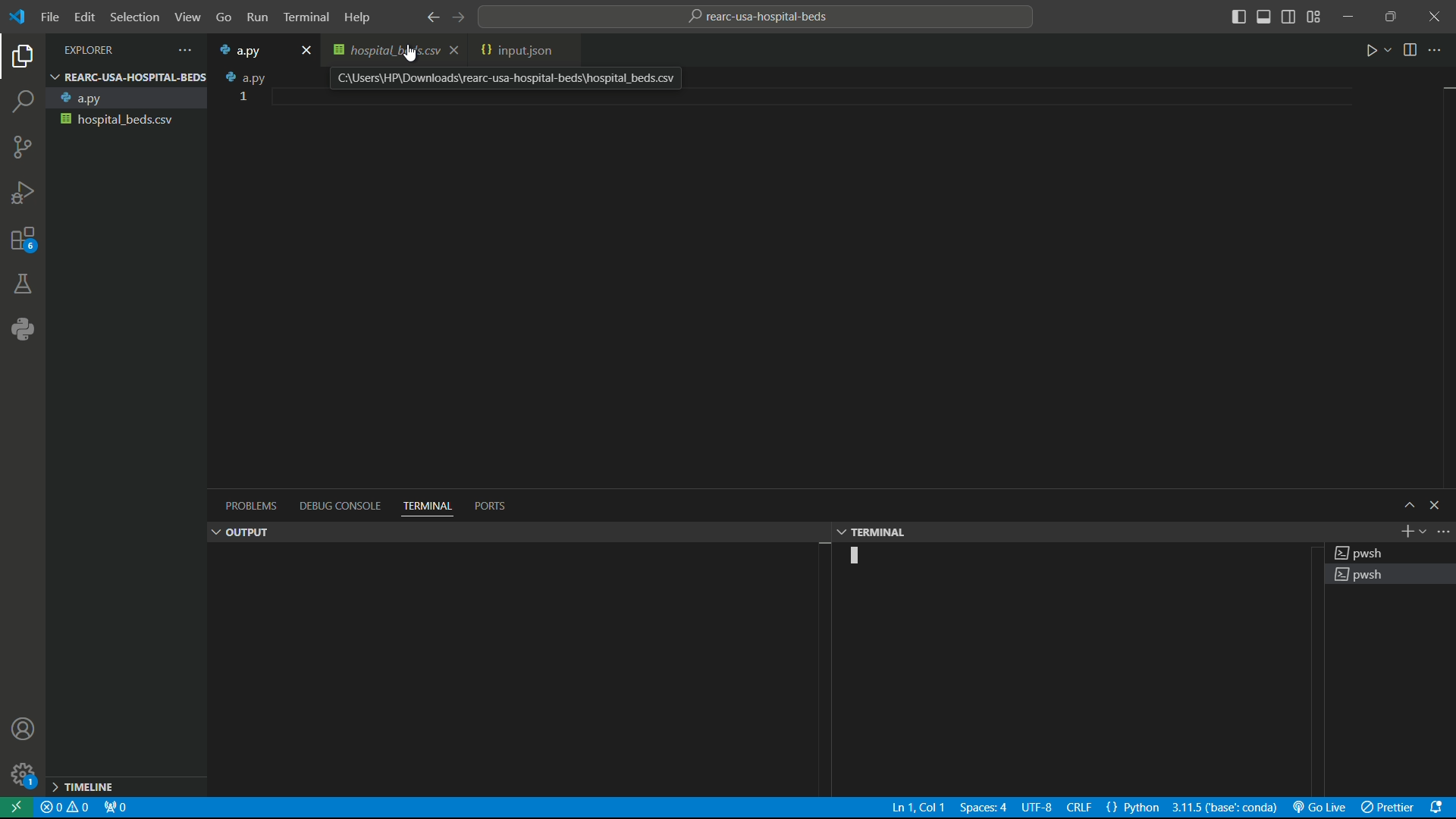 Image resolution: width=1456 pixels, height=819 pixels. What do you see at coordinates (223, 17) in the screenshot?
I see `go menu` at bounding box center [223, 17].